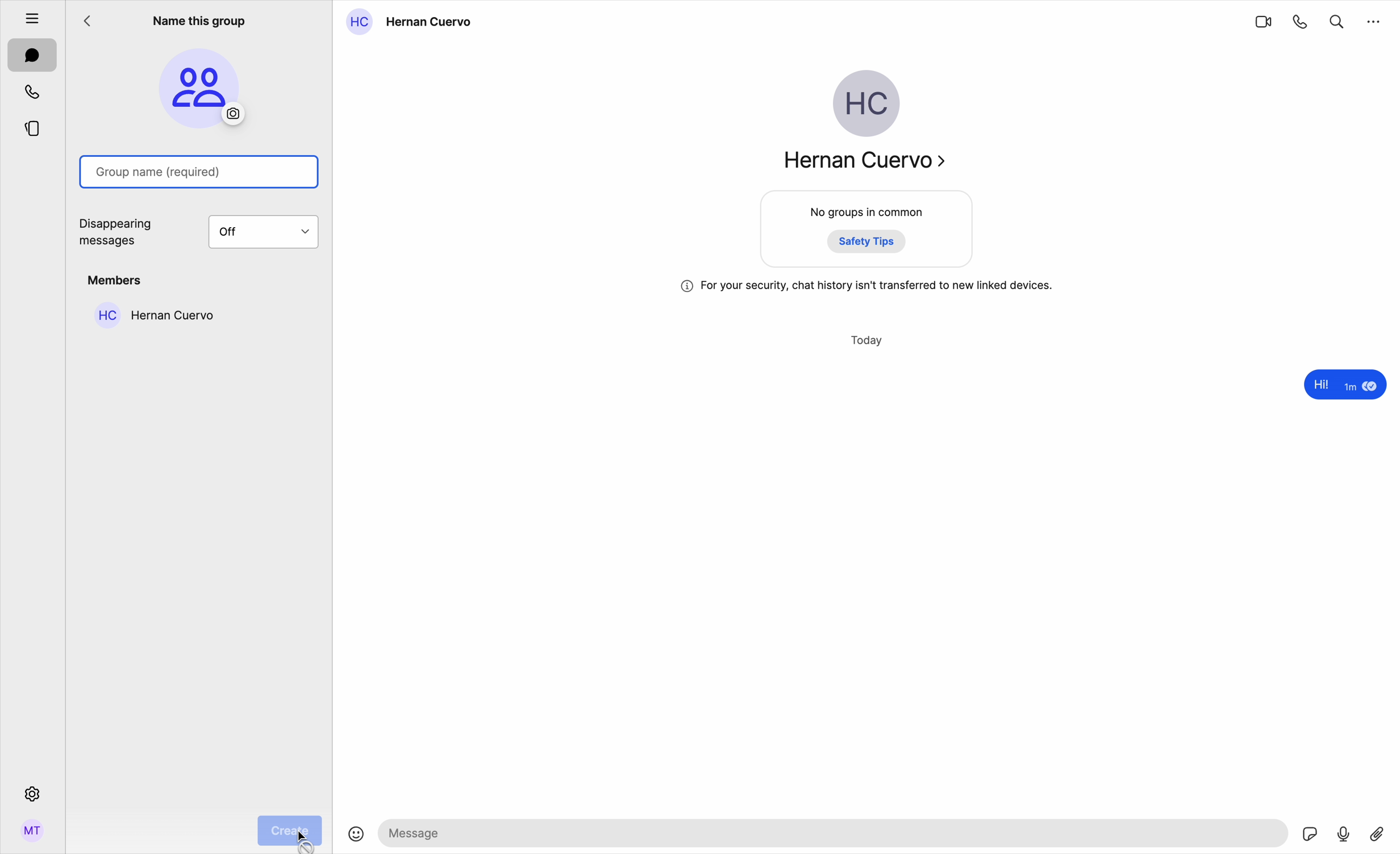 The width and height of the screenshot is (1400, 854). I want to click on attach file, so click(1379, 832).